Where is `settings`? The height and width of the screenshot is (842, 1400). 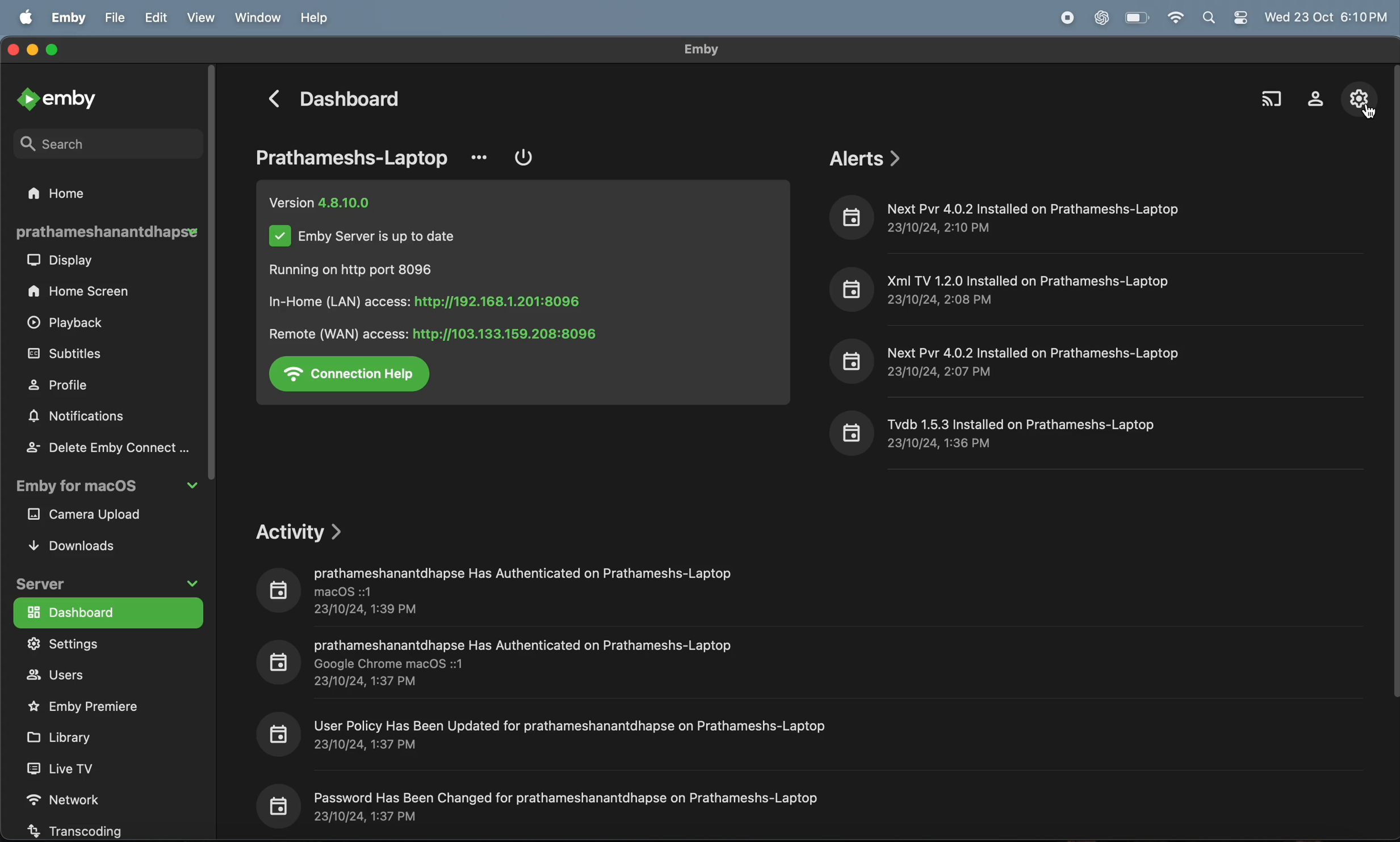 settings is located at coordinates (76, 646).